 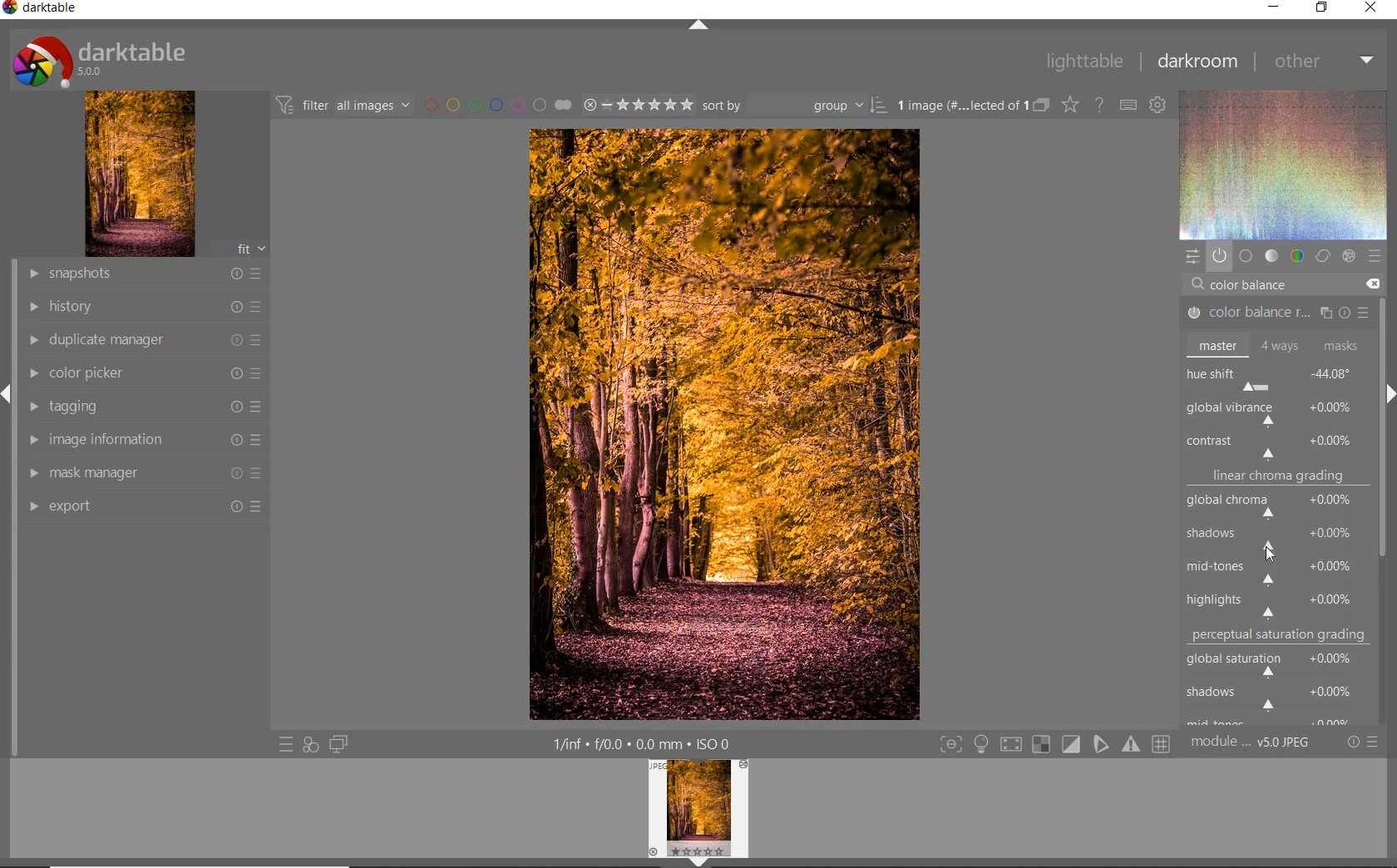 I want to click on filter images, so click(x=342, y=106).